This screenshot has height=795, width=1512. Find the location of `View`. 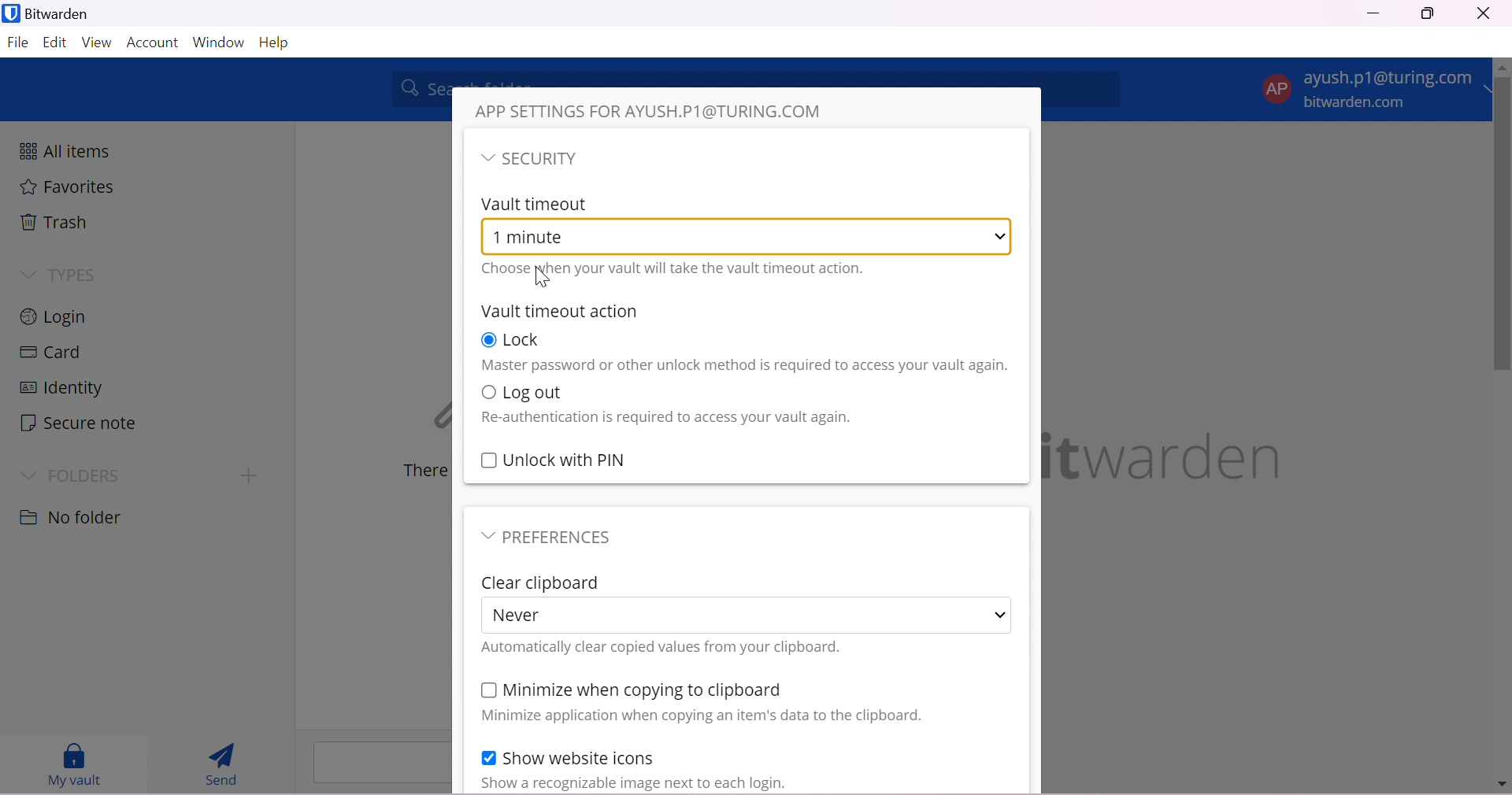

View is located at coordinates (98, 43).